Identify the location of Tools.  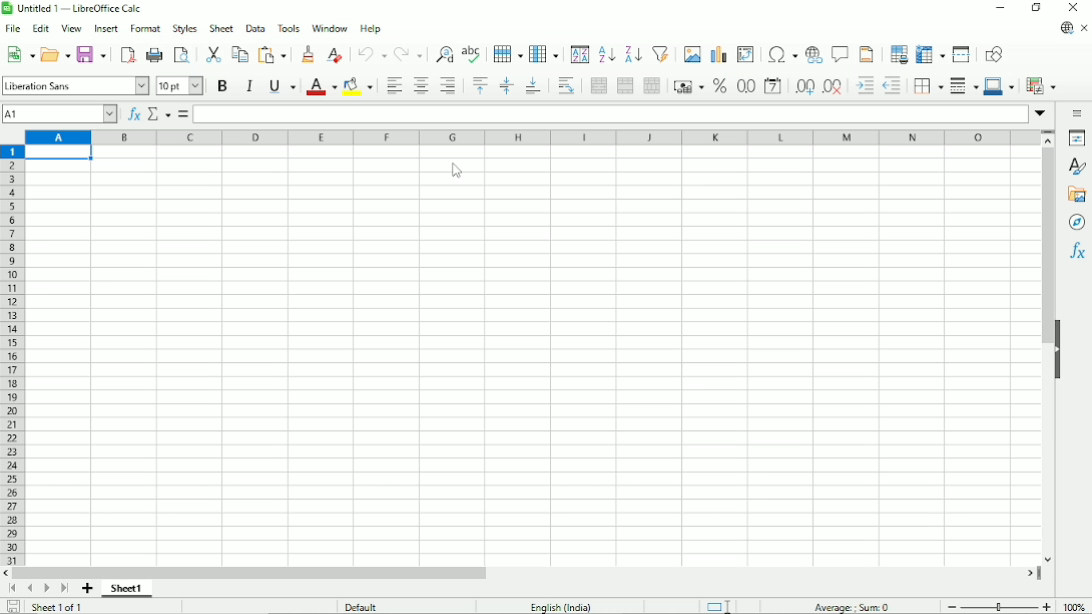
(290, 28).